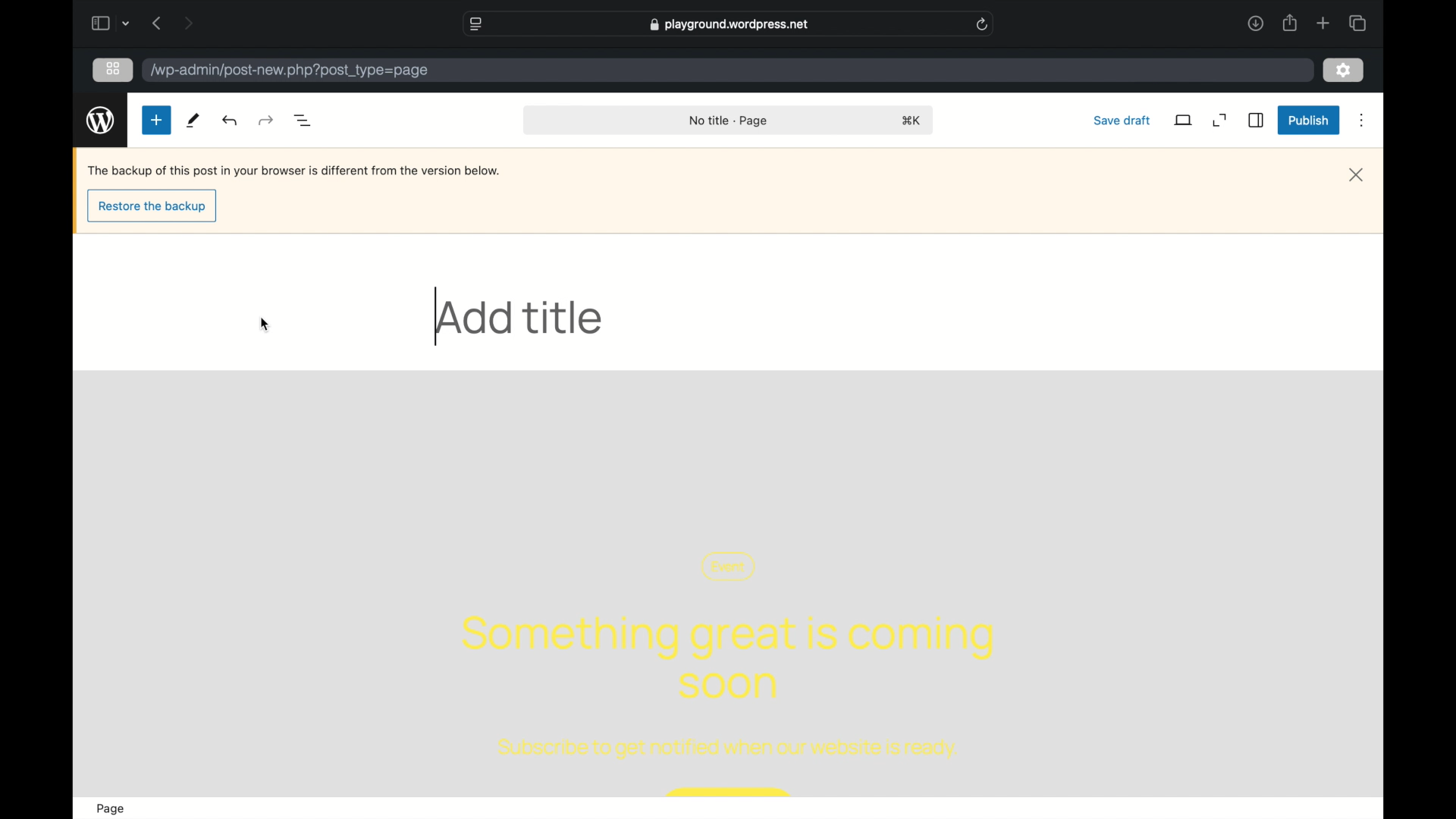 Image resolution: width=1456 pixels, height=819 pixels. Describe the element at coordinates (151, 207) in the screenshot. I see `restore the backup` at that location.